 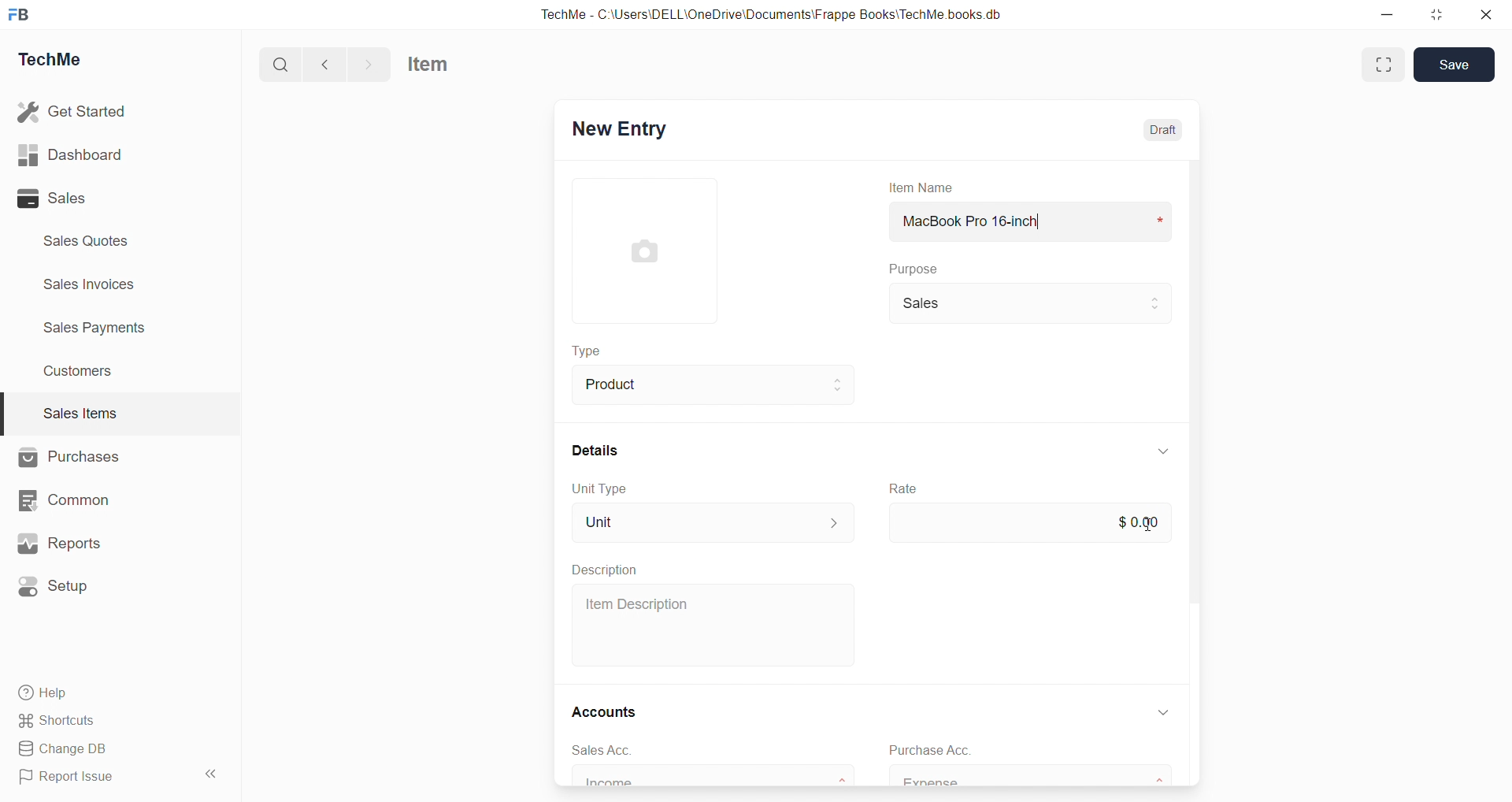 What do you see at coordinates (1028, 221) in the screenshot?
I see `MacBook Pro 16-inch` at bounding box center [1028, 221].